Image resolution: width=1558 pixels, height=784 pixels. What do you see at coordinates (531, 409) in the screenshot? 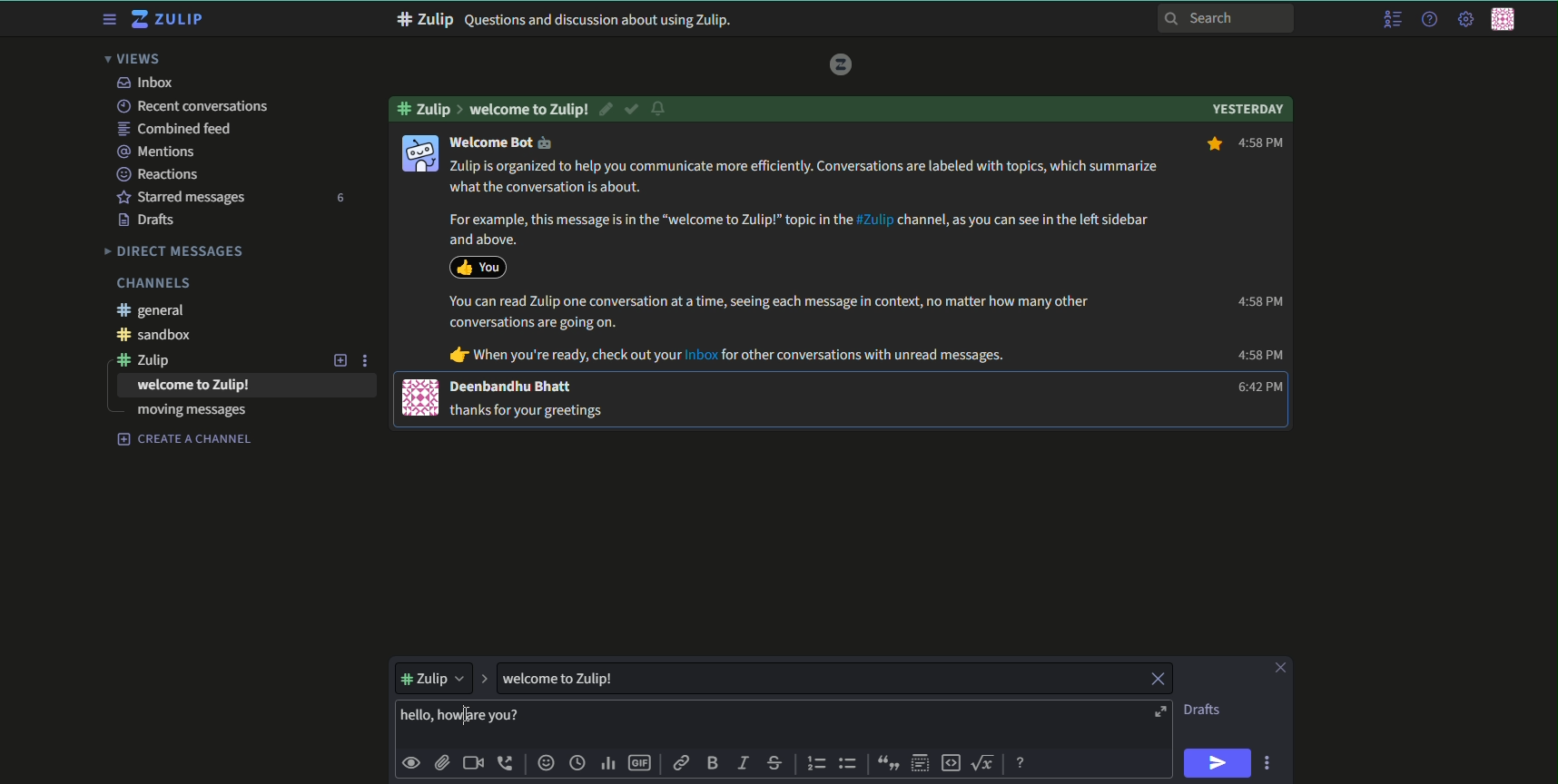
I see `thanks for your greetings` at bounding box center [531, 409].